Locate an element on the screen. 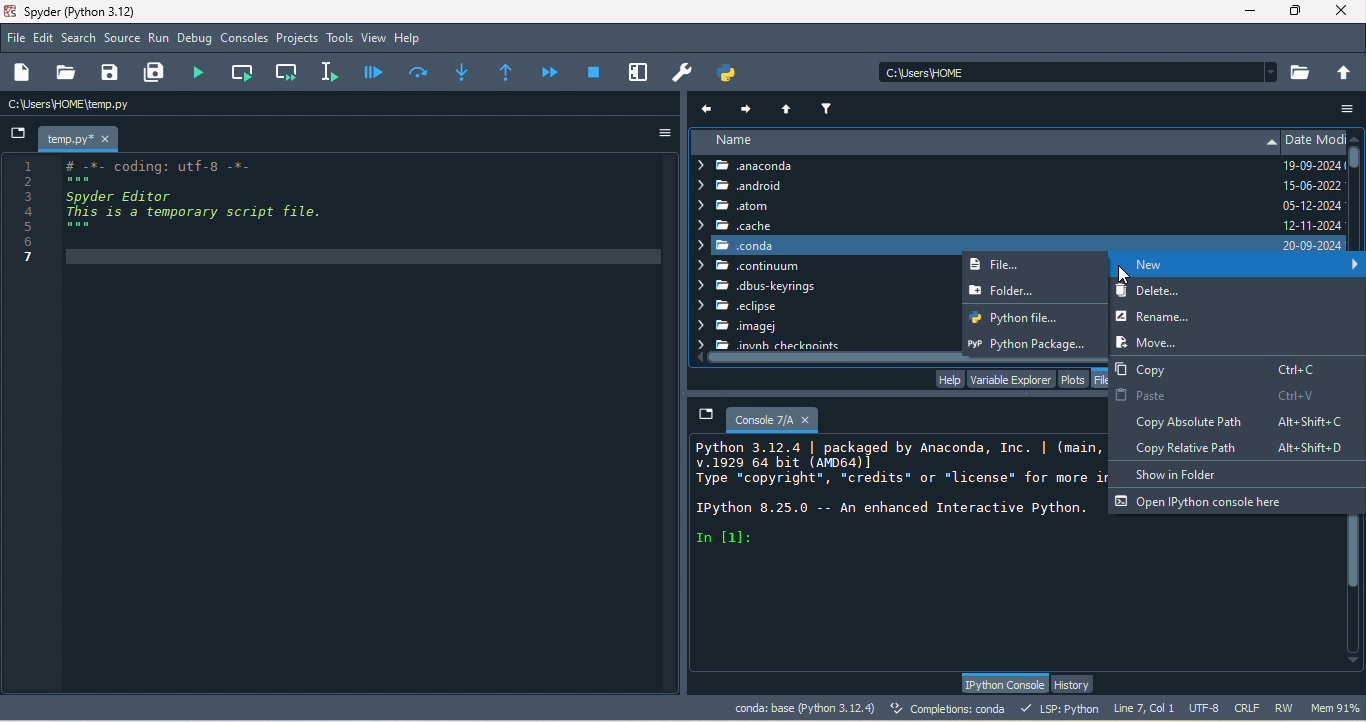  maximize is located at coordinates (1297, 11).